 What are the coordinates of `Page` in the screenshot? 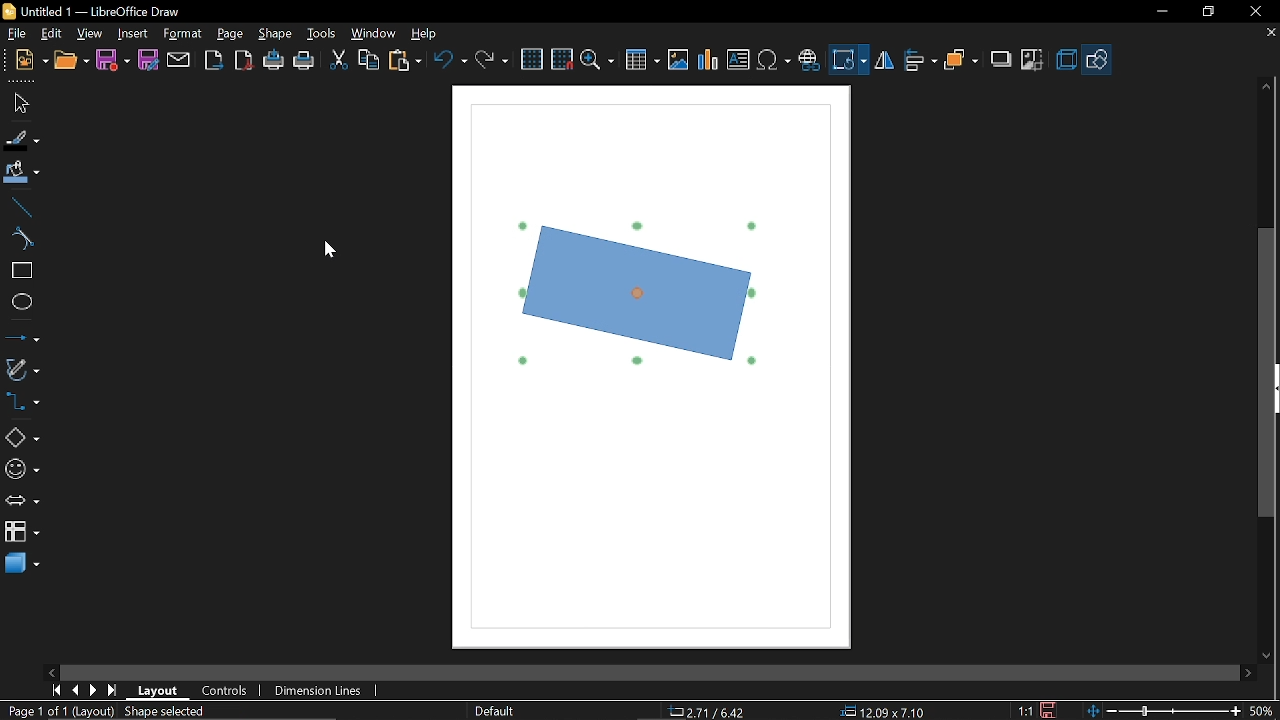 It's located at (230, 34).